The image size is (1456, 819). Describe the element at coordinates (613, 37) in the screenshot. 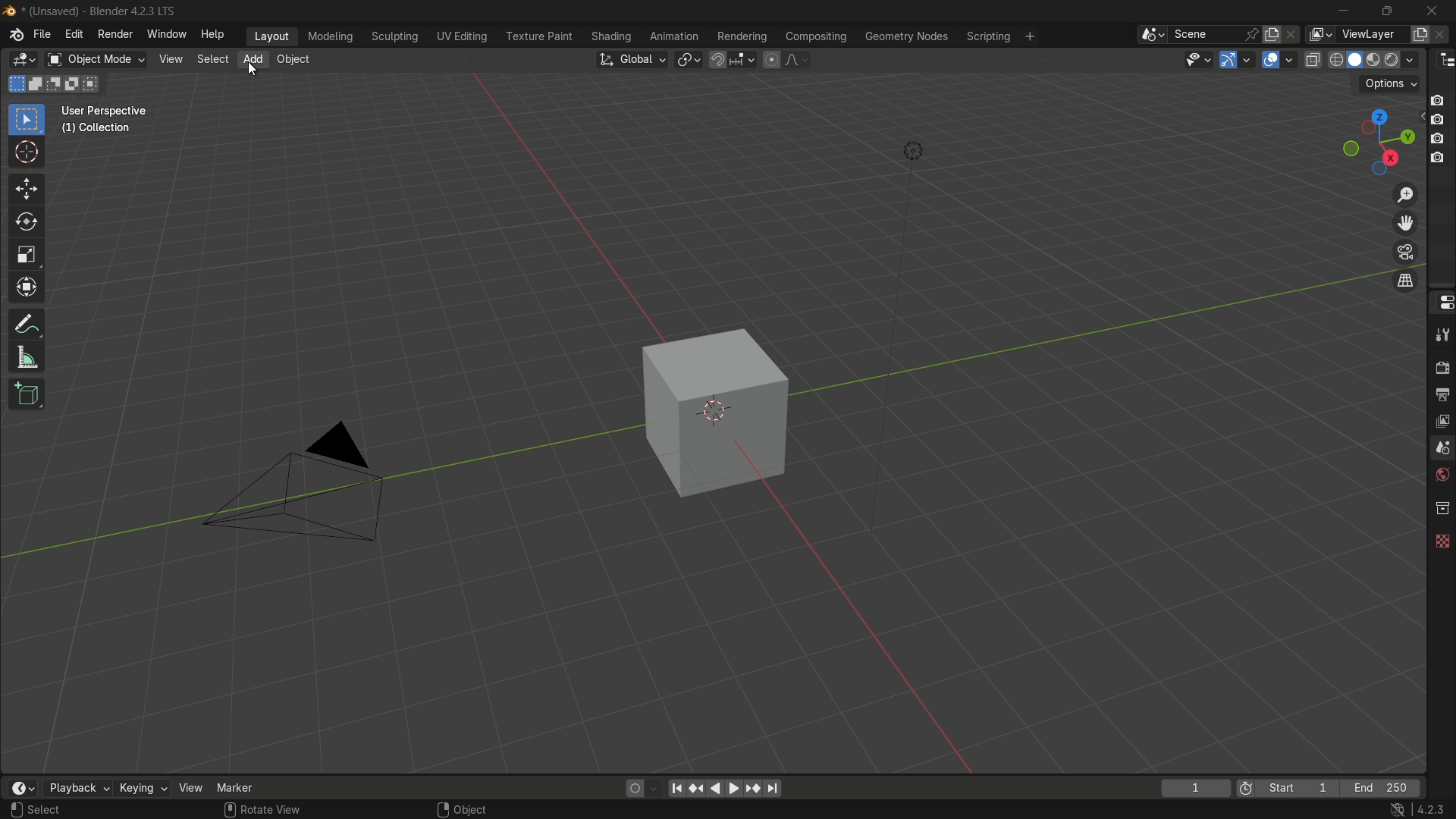

I see `shading menu` at that location.